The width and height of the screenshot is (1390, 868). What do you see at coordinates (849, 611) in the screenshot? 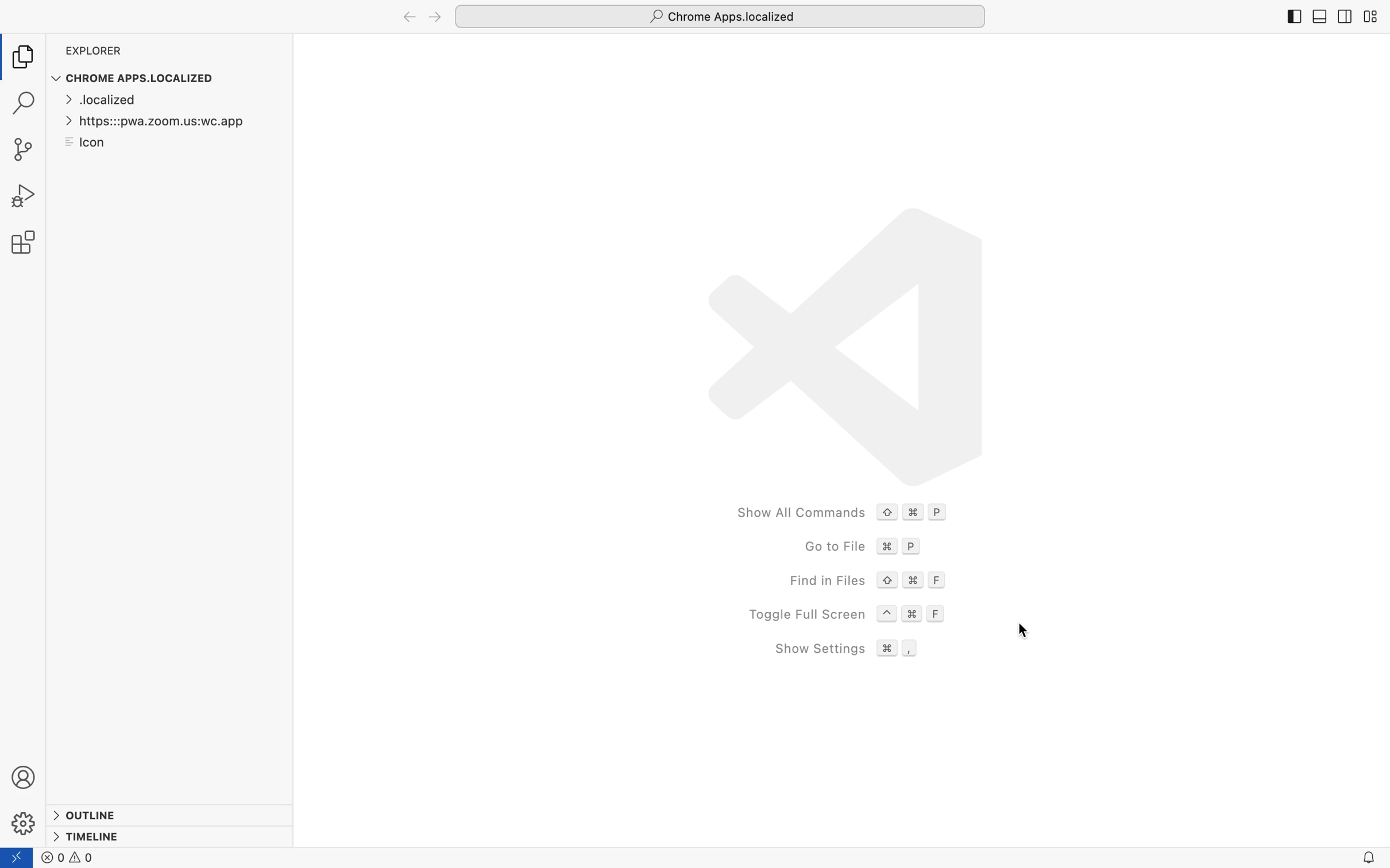
I see `toggle full screen` at bounding box center [849, 611].